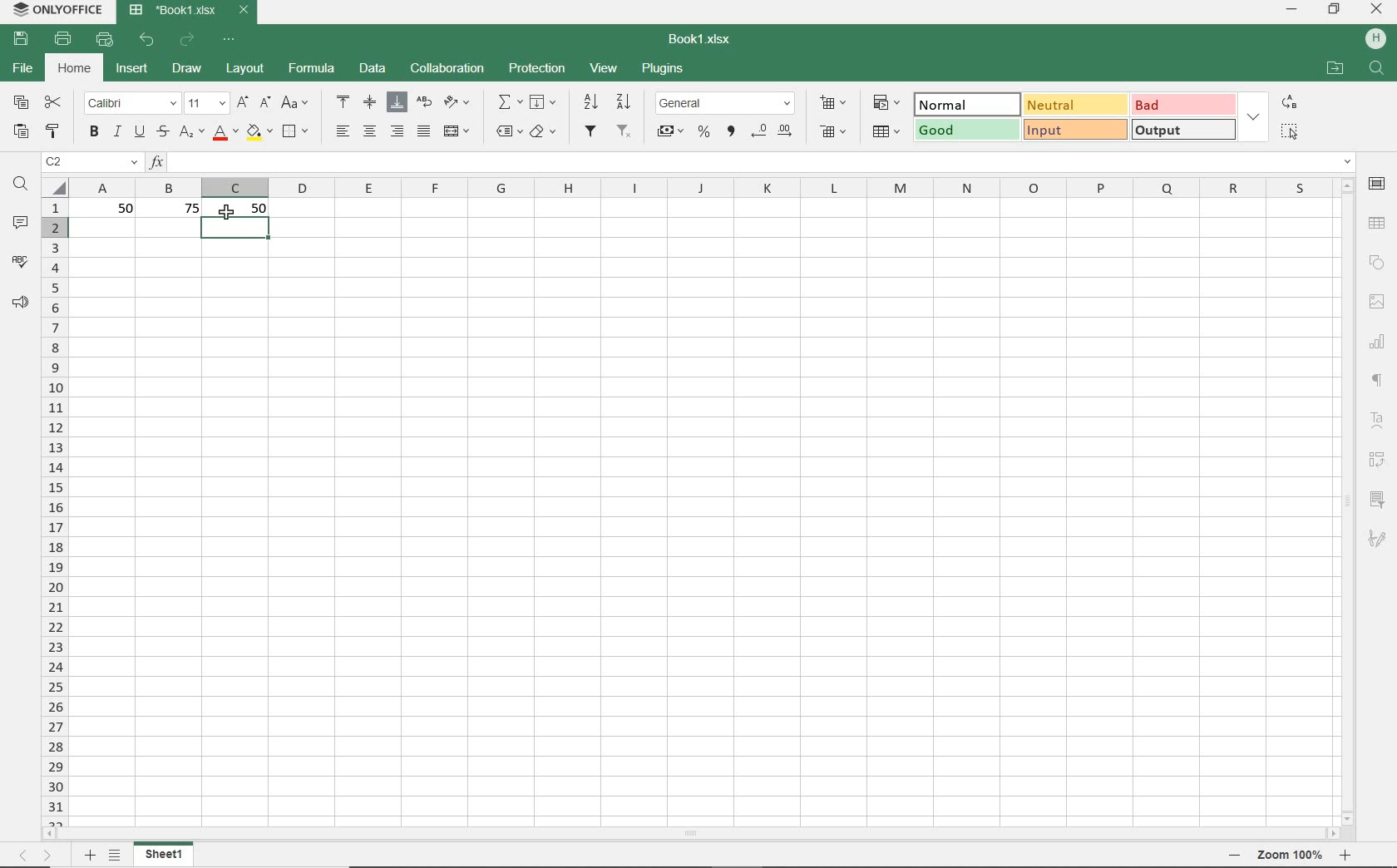 This screenshot has height=868, width=1397. Describe the element at coordinates (1377, 262) in the screenshot. I see `shapes` at that location.